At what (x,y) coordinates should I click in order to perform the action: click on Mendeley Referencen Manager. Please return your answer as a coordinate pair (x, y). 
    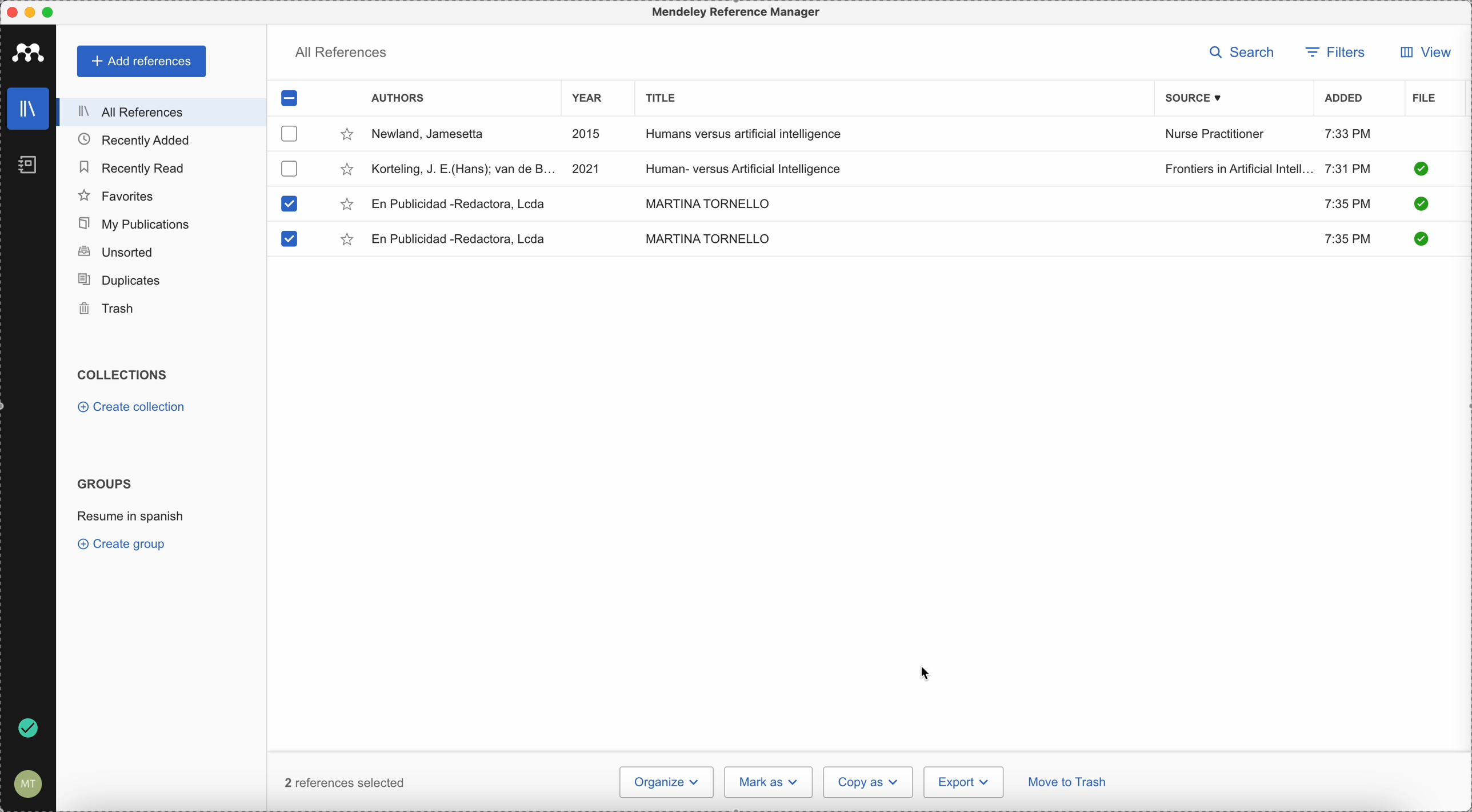
    Looking at the image, I should click on (739, 13).